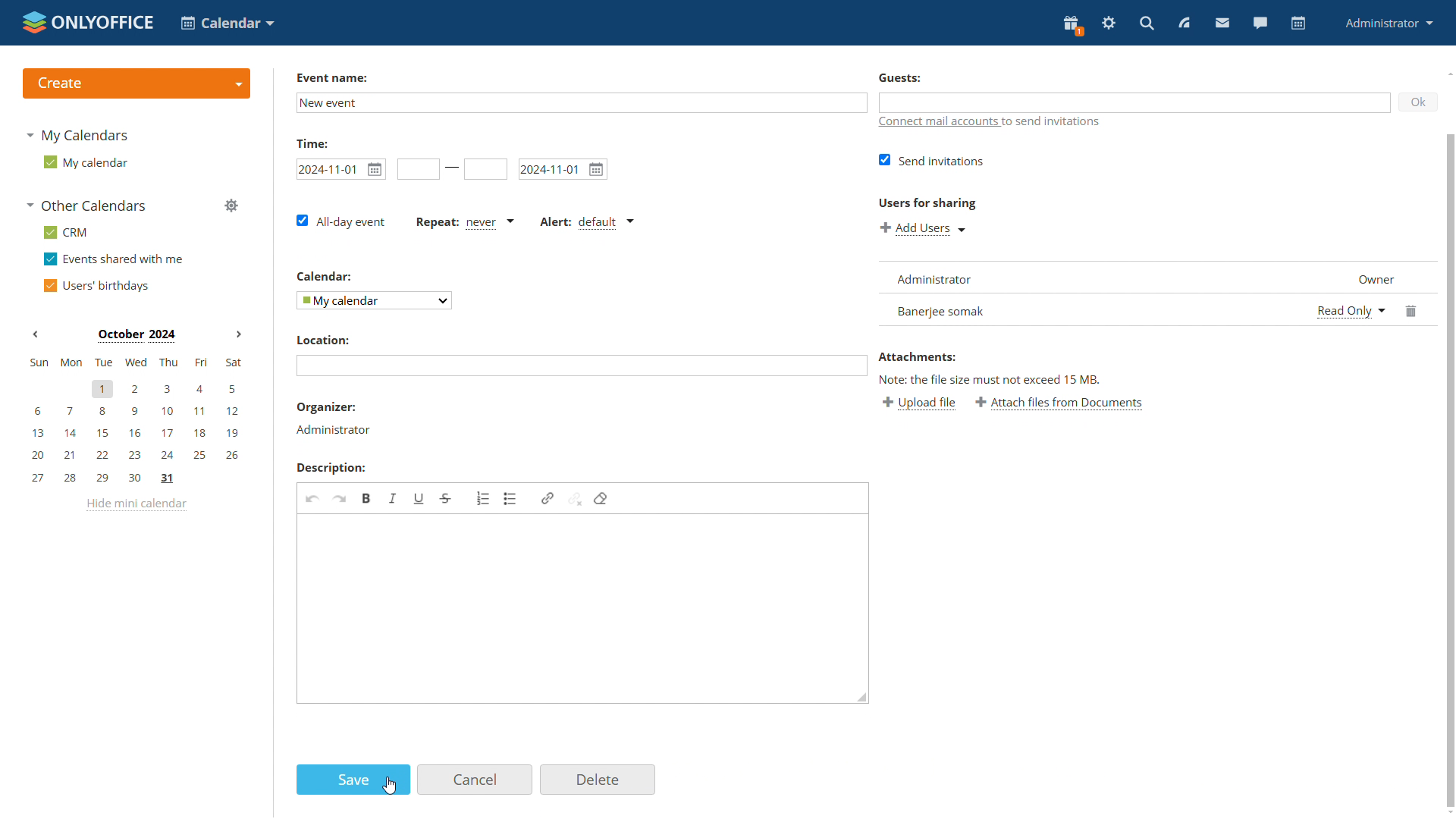  What do you see at coordinates (548, 498) in the screenshot?
I see `link` at bounding box center [548, 498].